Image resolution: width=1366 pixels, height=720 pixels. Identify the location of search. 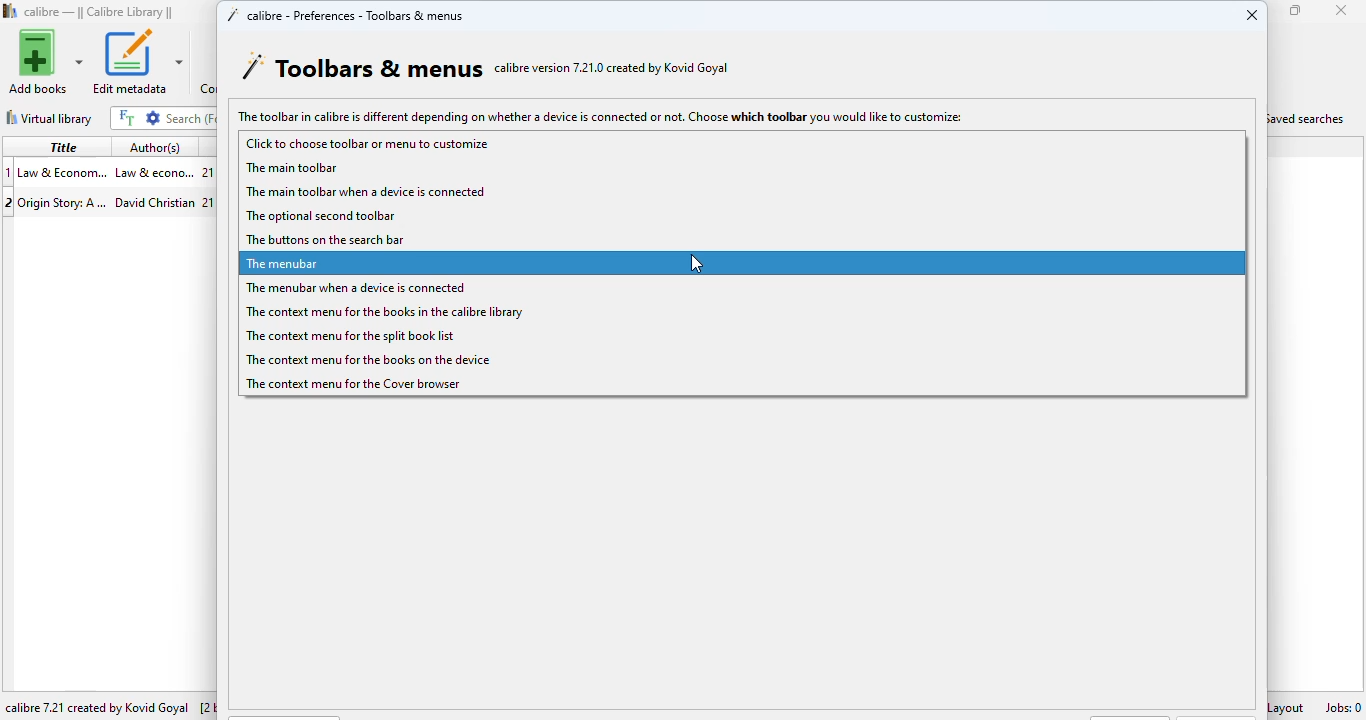
(189, 118).